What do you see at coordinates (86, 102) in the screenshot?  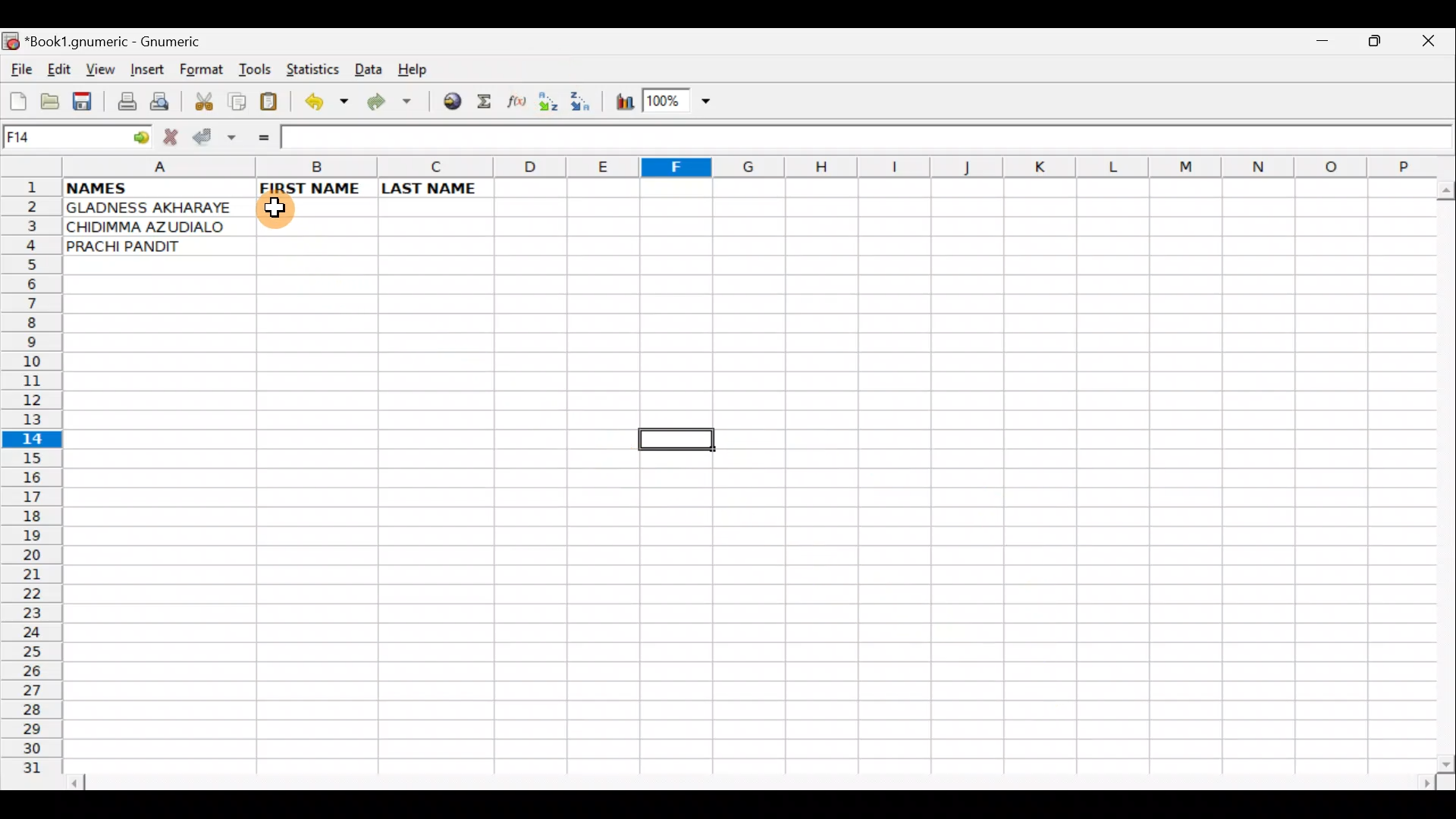 I see `Save current workbook` at bounding box center [86, 102].